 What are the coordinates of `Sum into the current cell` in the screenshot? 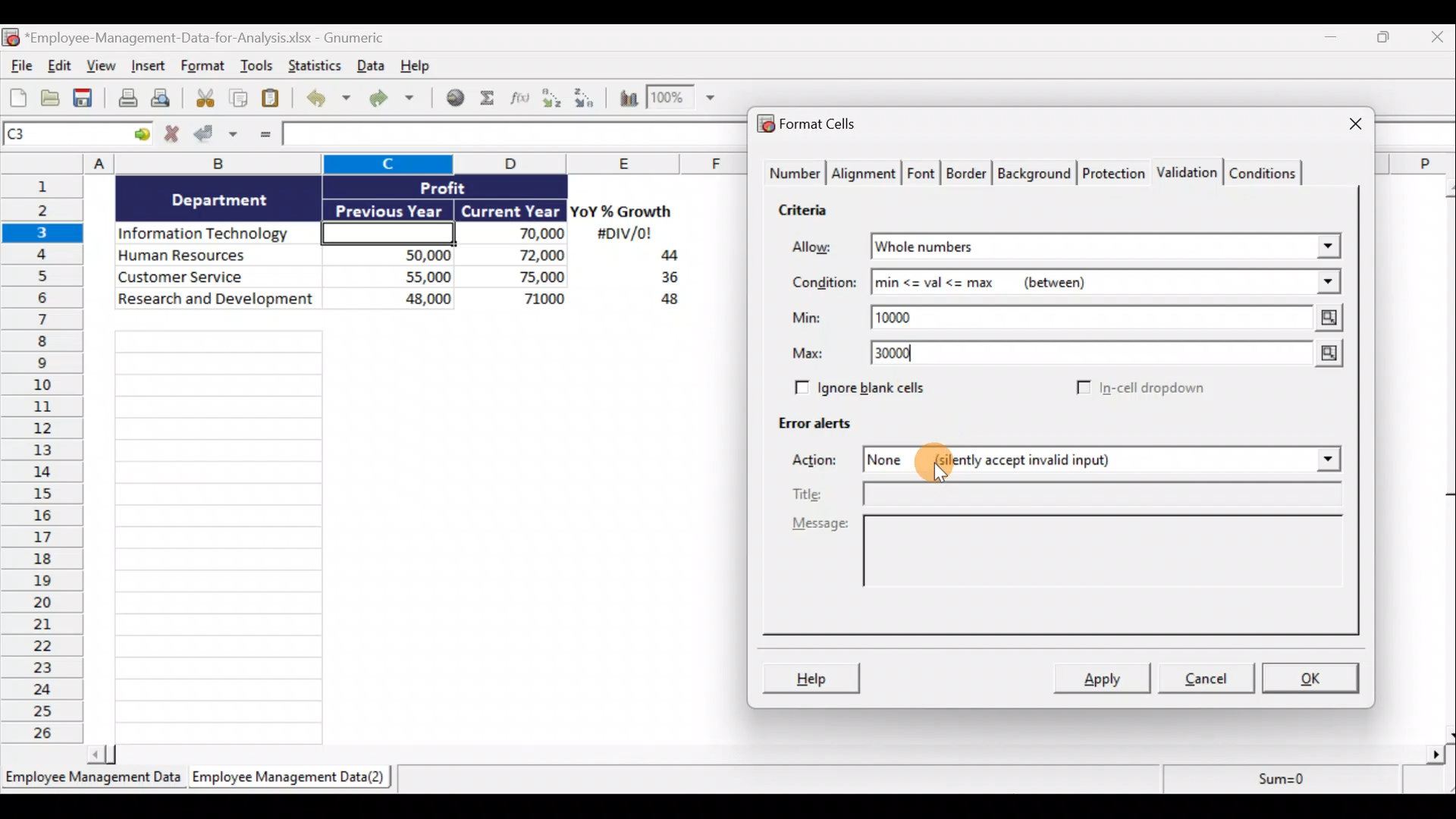 It's located at (489, 99).